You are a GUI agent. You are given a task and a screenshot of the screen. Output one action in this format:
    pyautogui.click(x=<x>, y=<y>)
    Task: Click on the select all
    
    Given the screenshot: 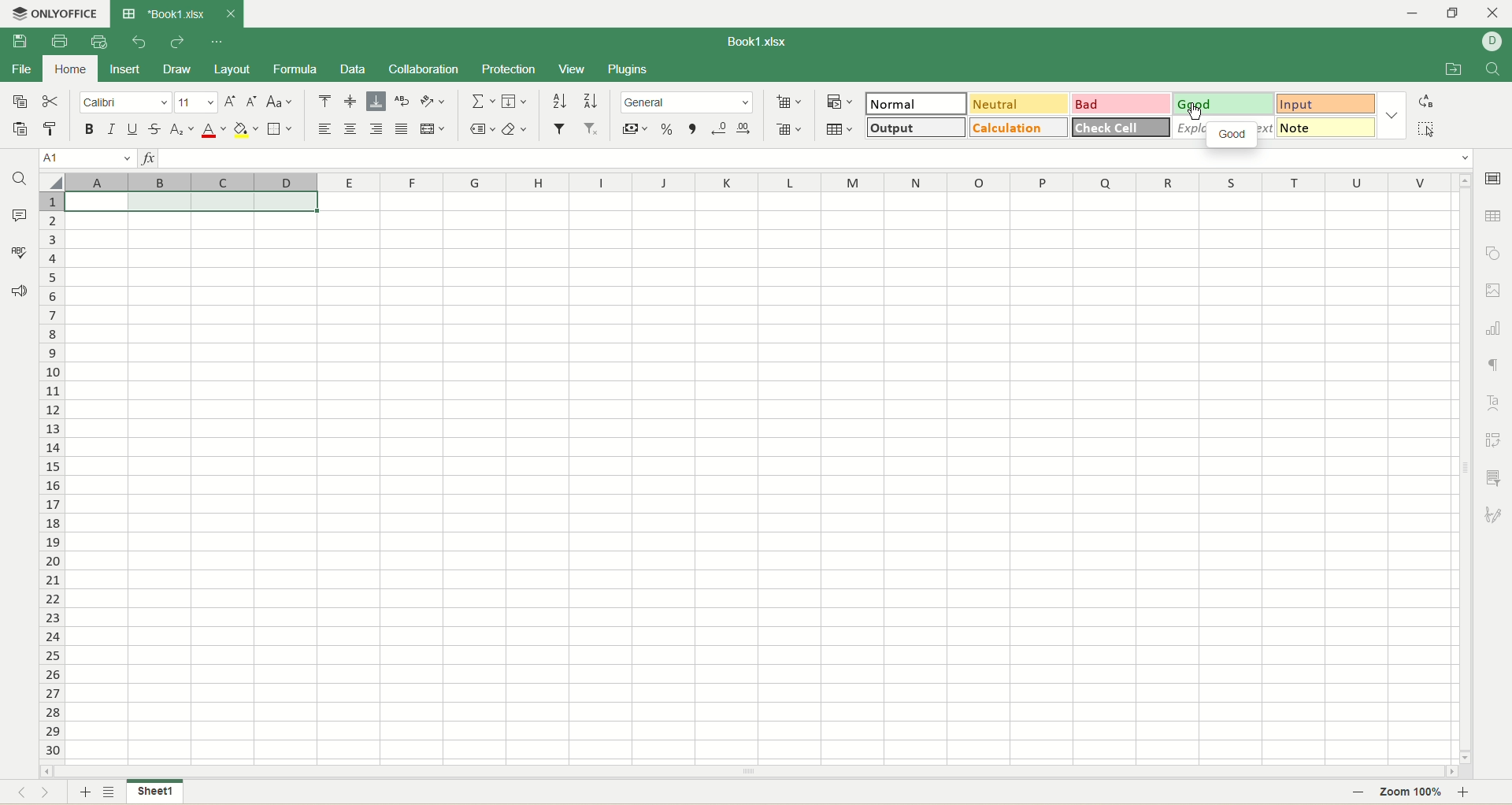 What is the action you would take?
    pyautogui.click(x=53, y=180)
    